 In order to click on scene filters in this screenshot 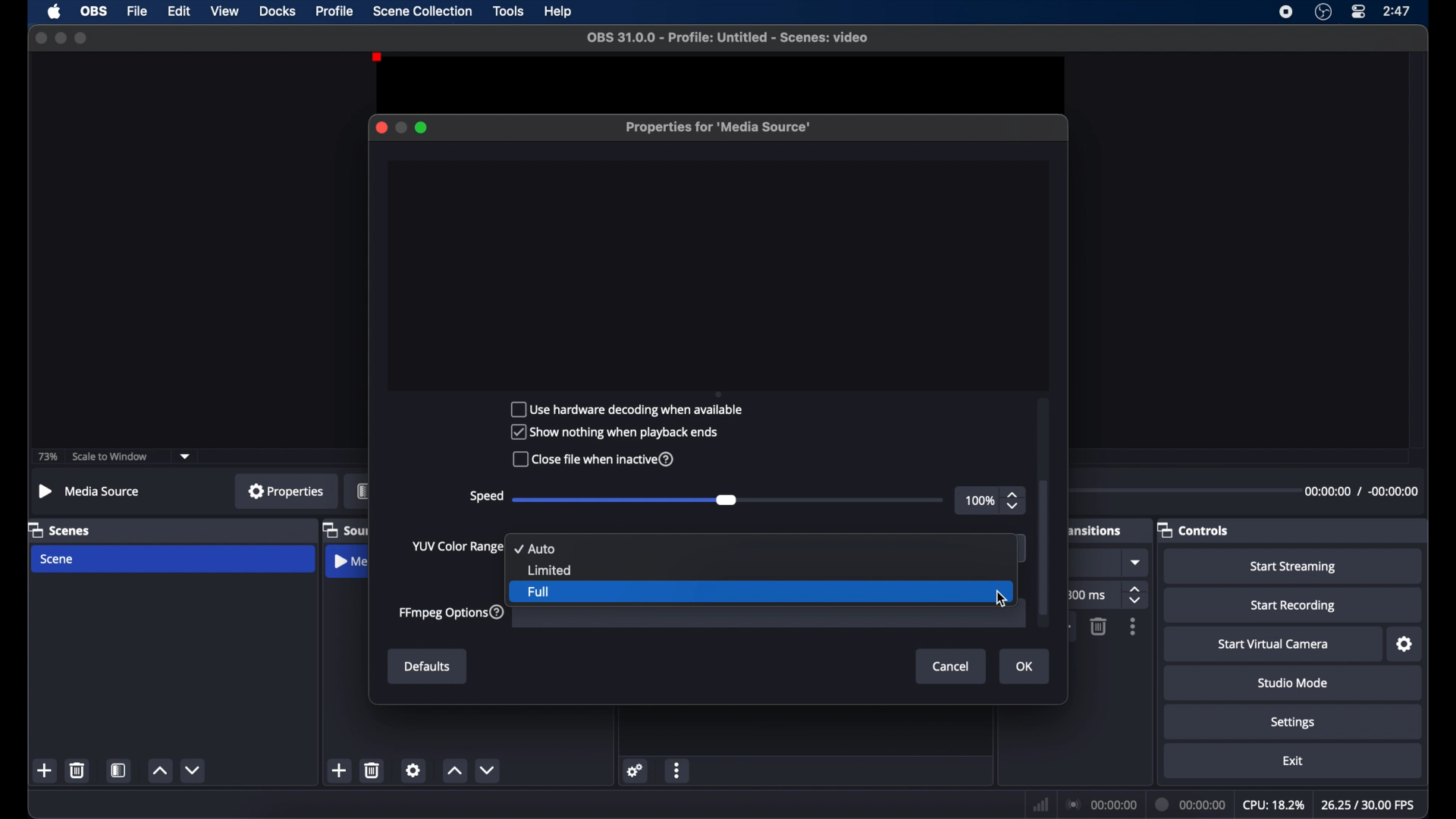, I will do `click(119, 770)`.